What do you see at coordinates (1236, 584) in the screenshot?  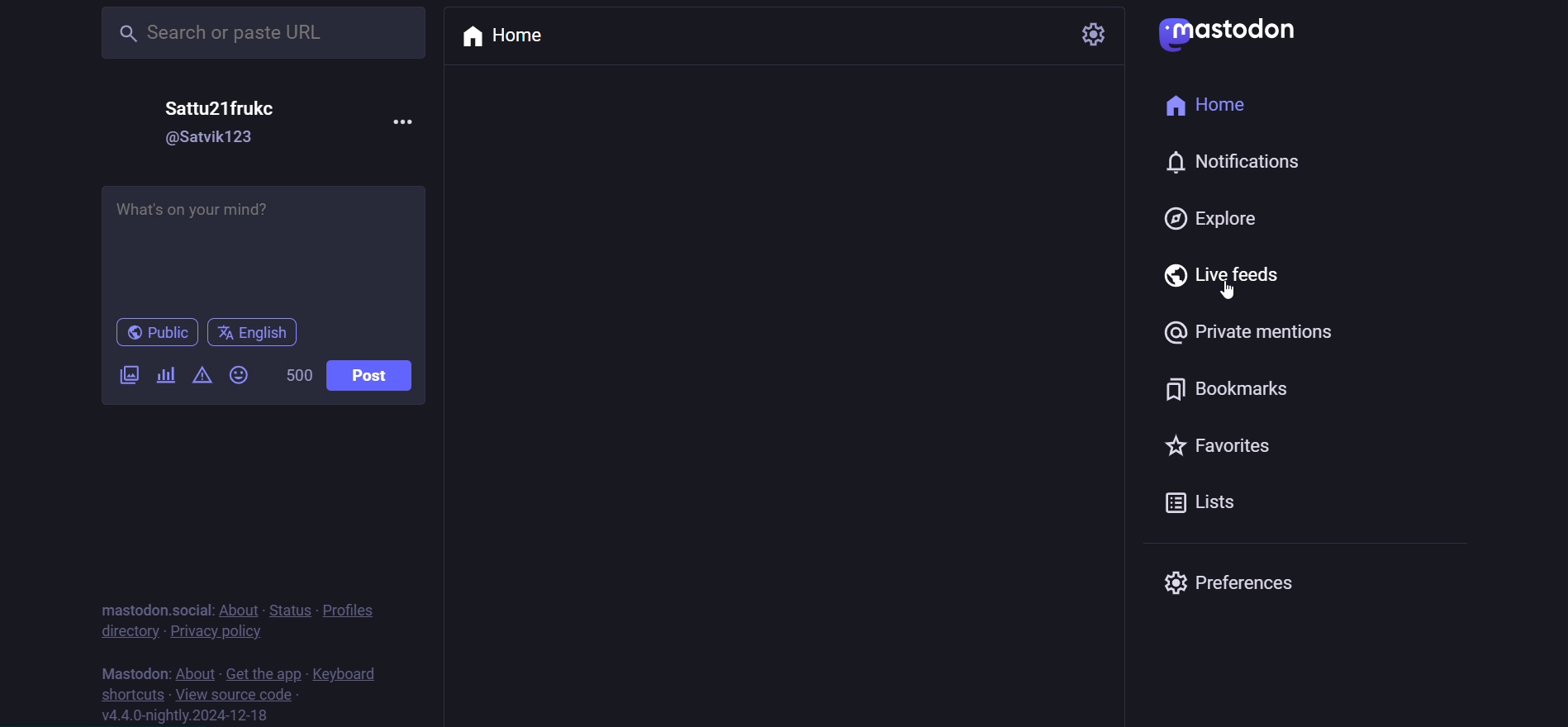 I see `preferences` at bounding box center [1236, 584].